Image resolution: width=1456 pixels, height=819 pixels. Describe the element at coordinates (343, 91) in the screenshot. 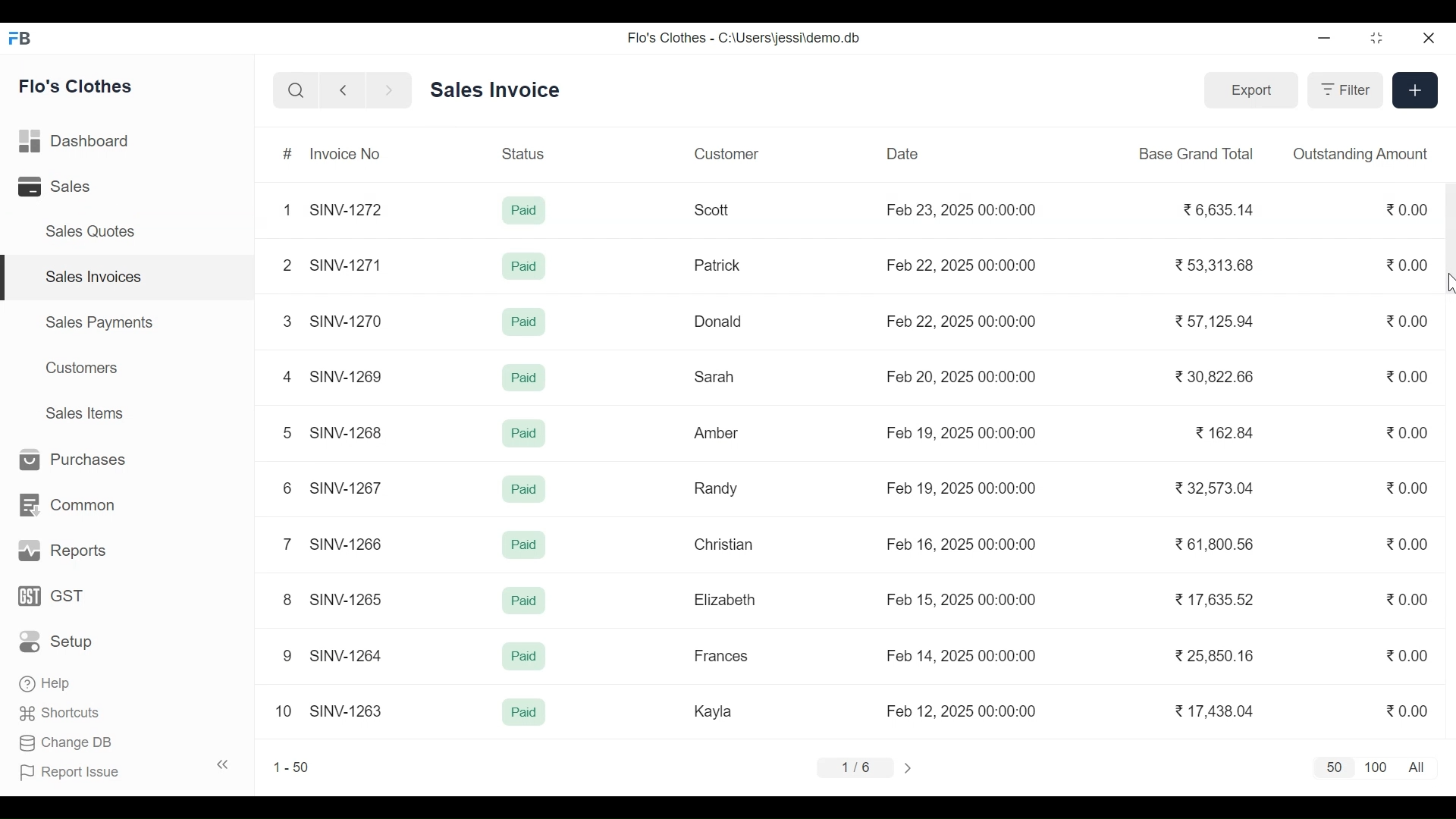

I see `Go Back` at that location.